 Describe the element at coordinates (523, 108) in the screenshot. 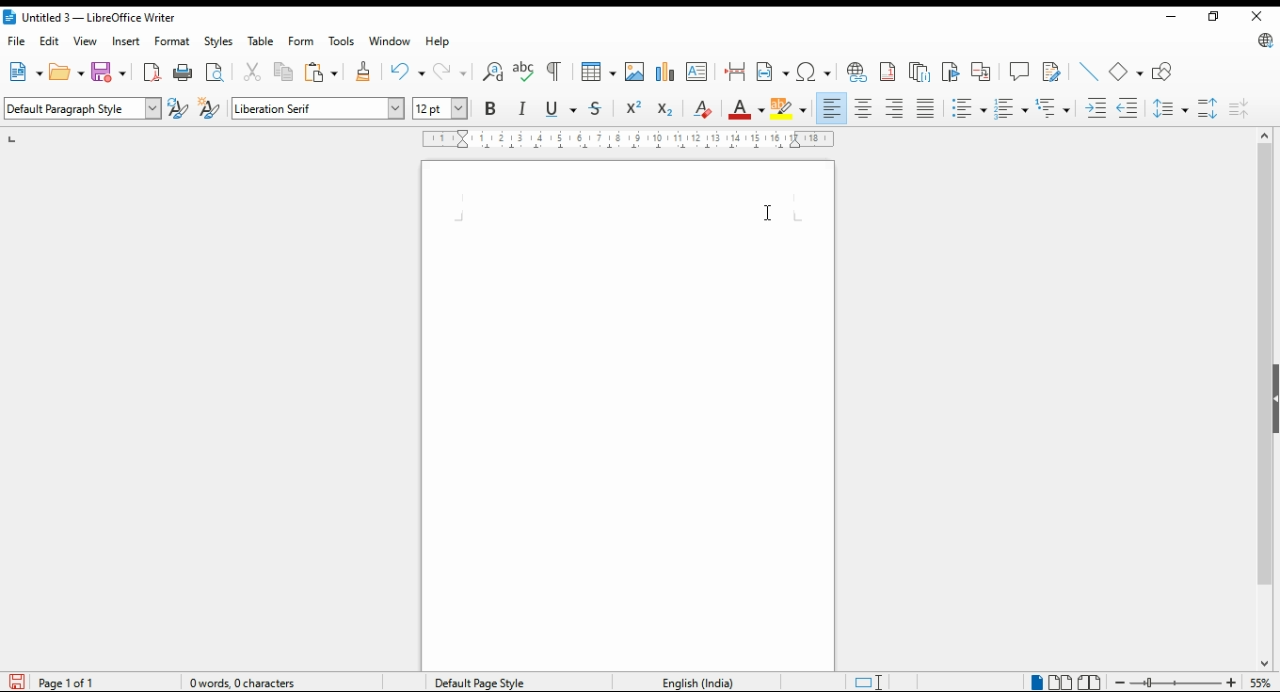

I see `italics` at that location.